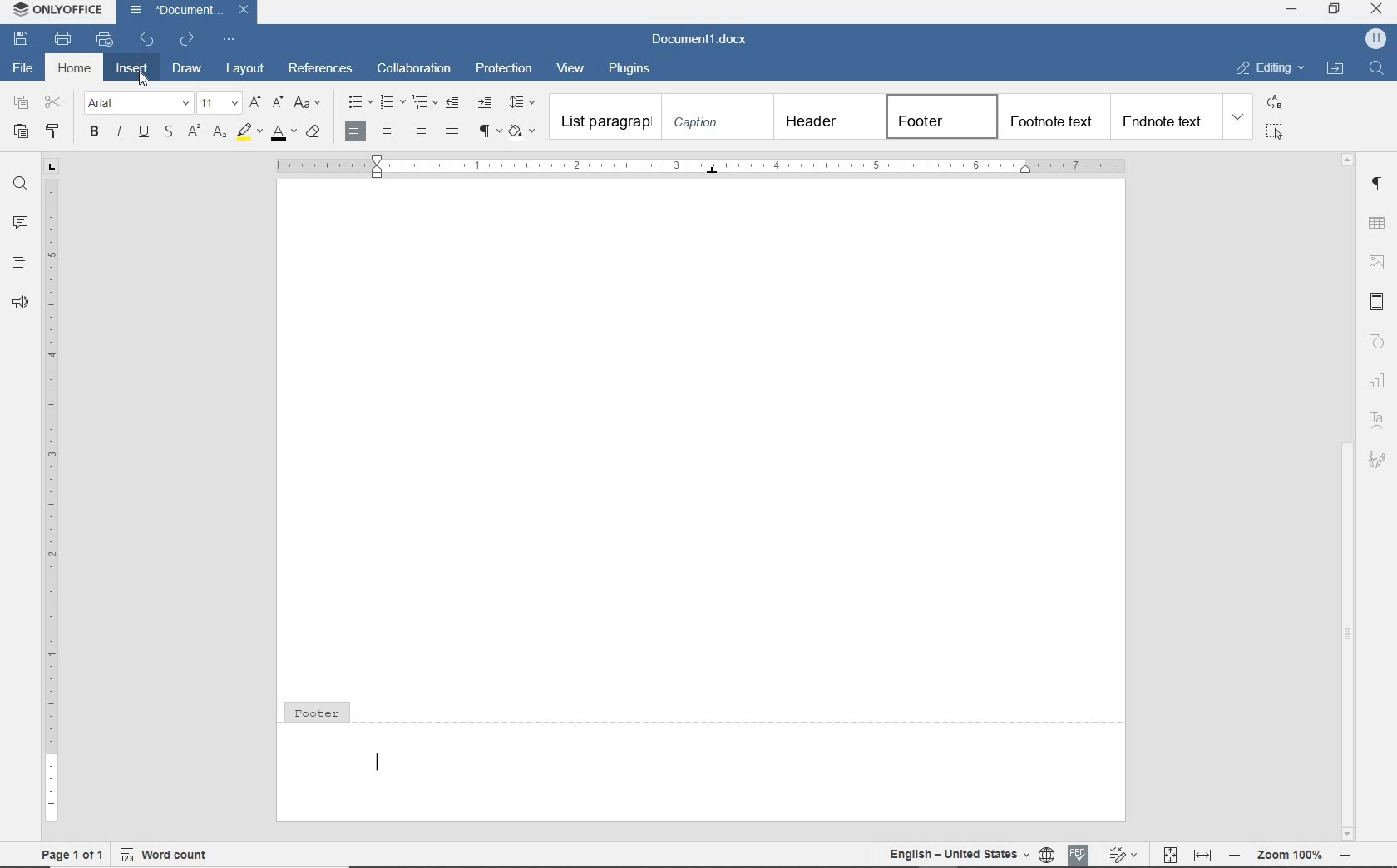  What do you see at coordinates (1169, 117) in the screenshot?
I see `end note text` at bounding box center [1169, 117].